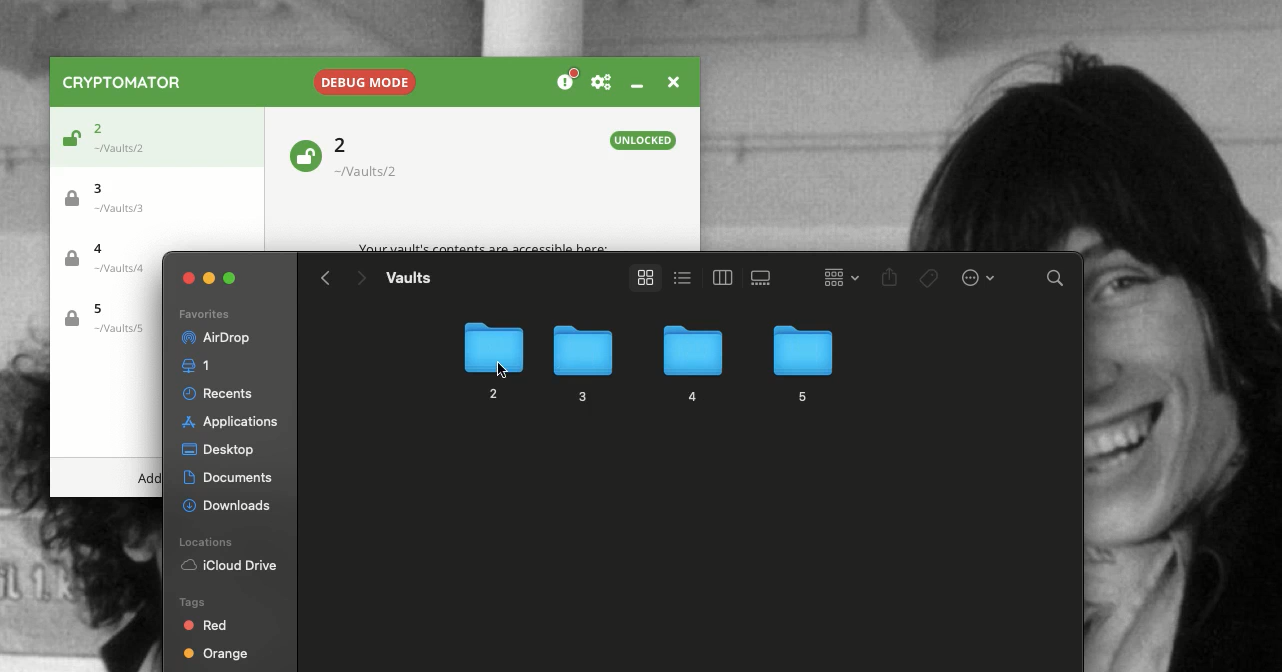 This screenshot has width=1282, height=672. What do you see at coordinates (690, 365) in the screenshot?
I see `4` at bounding box center [690, 365].